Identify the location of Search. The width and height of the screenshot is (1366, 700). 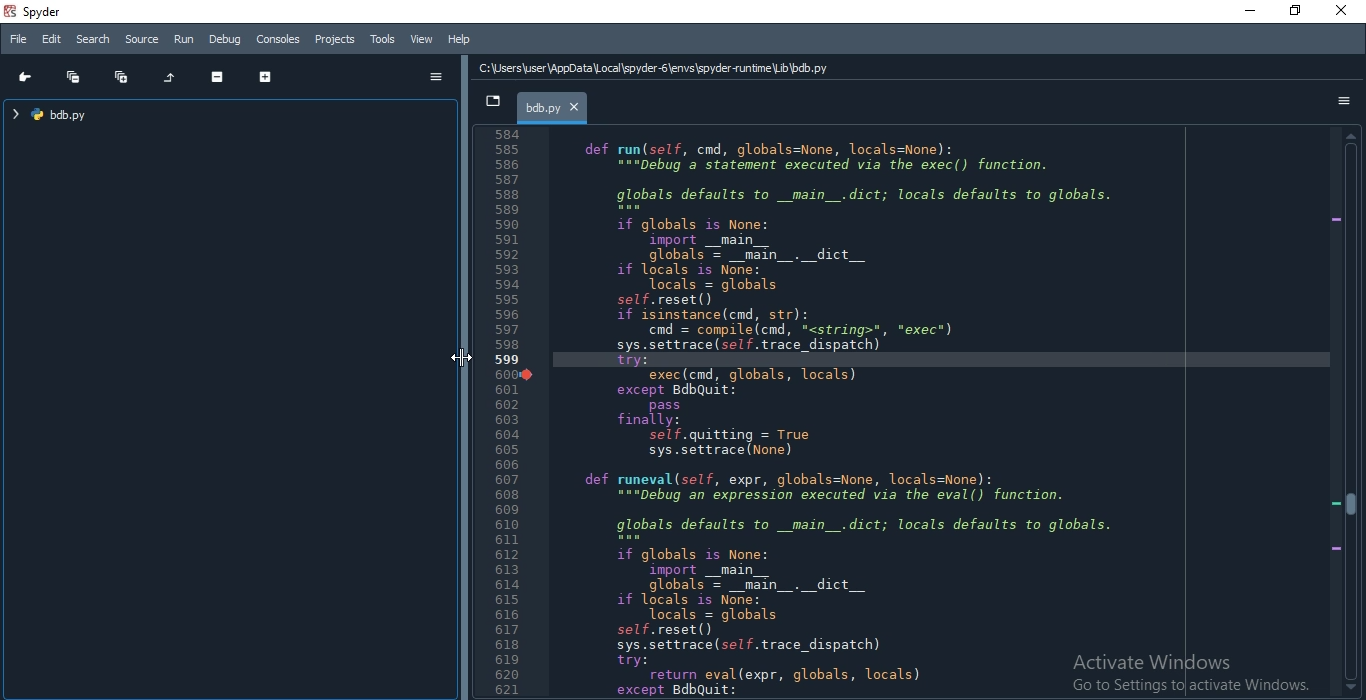
(94, 39).